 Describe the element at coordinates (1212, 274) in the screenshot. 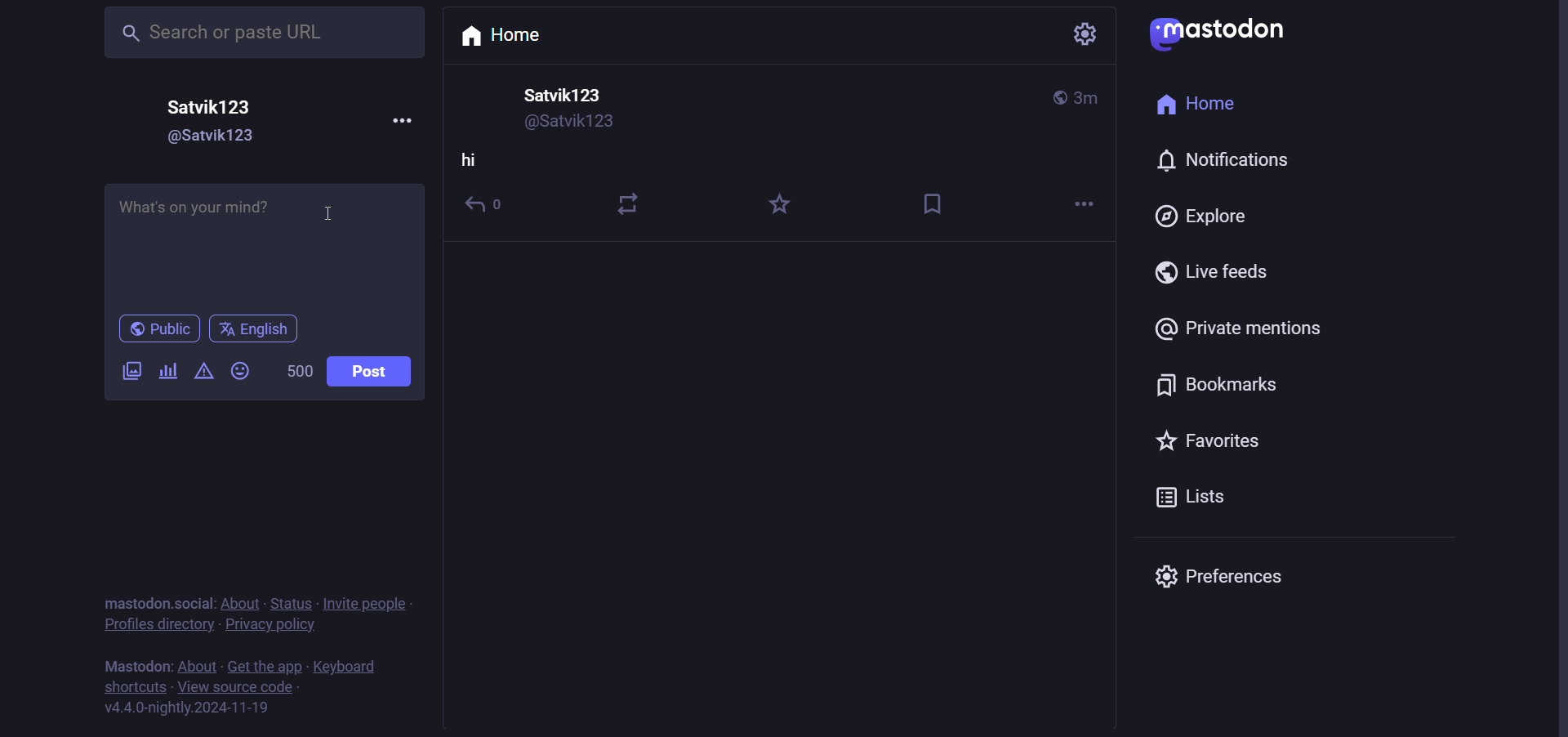

I see `live feed` at that location.